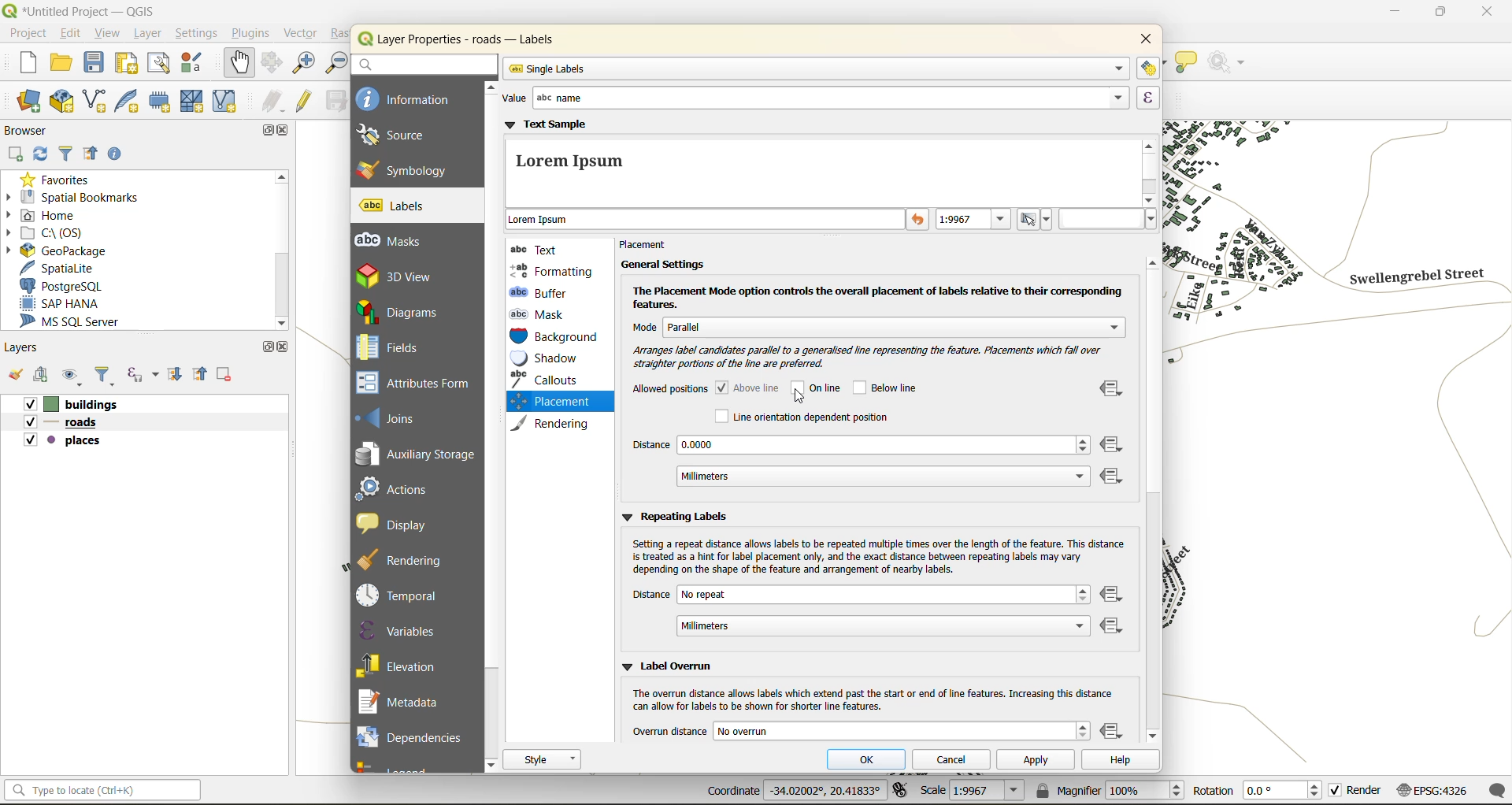  I want to click on show layout, so click(157, 63).